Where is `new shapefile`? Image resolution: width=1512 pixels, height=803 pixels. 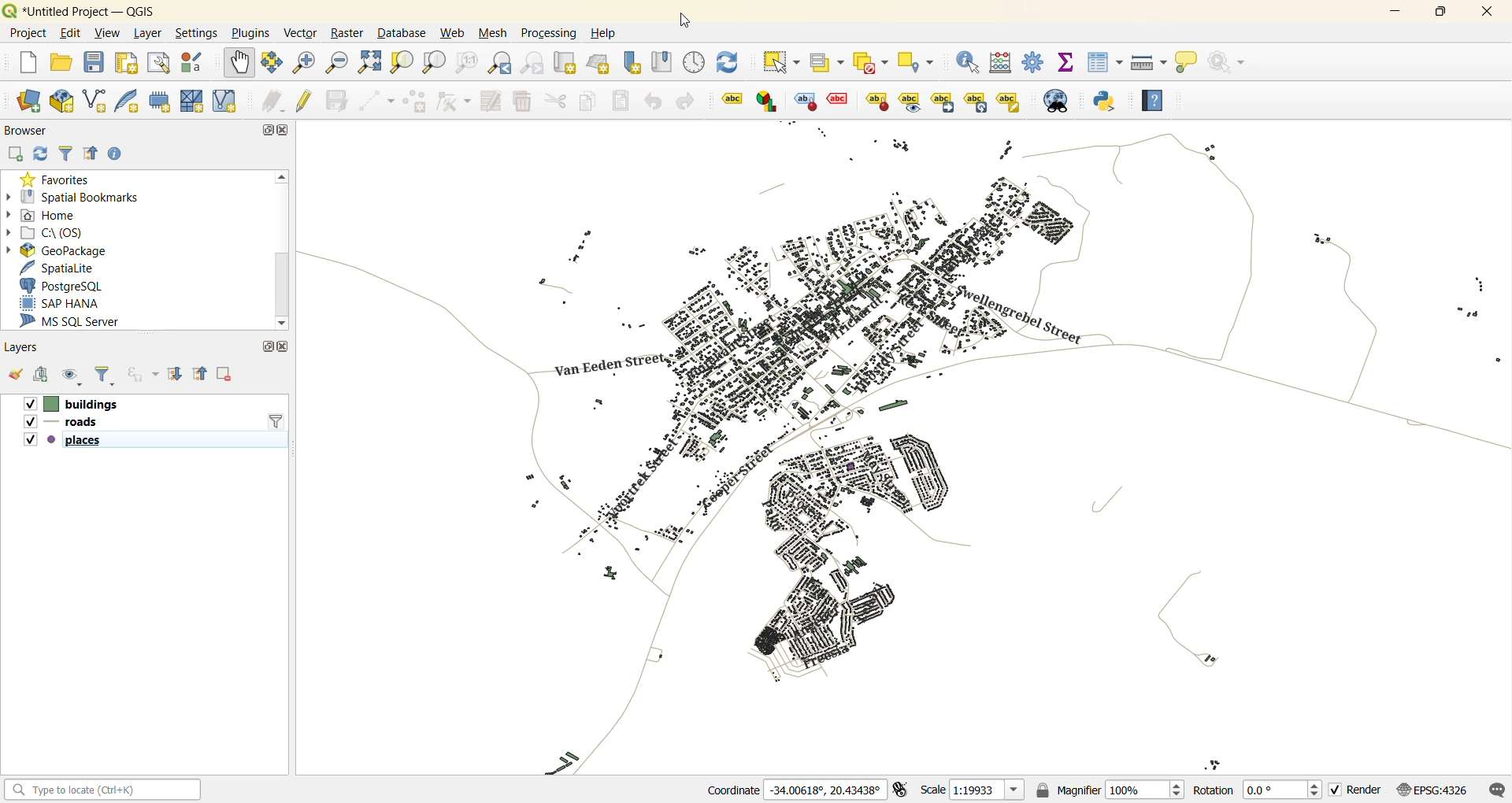
new shapefile is located at coordinates (96, 101).